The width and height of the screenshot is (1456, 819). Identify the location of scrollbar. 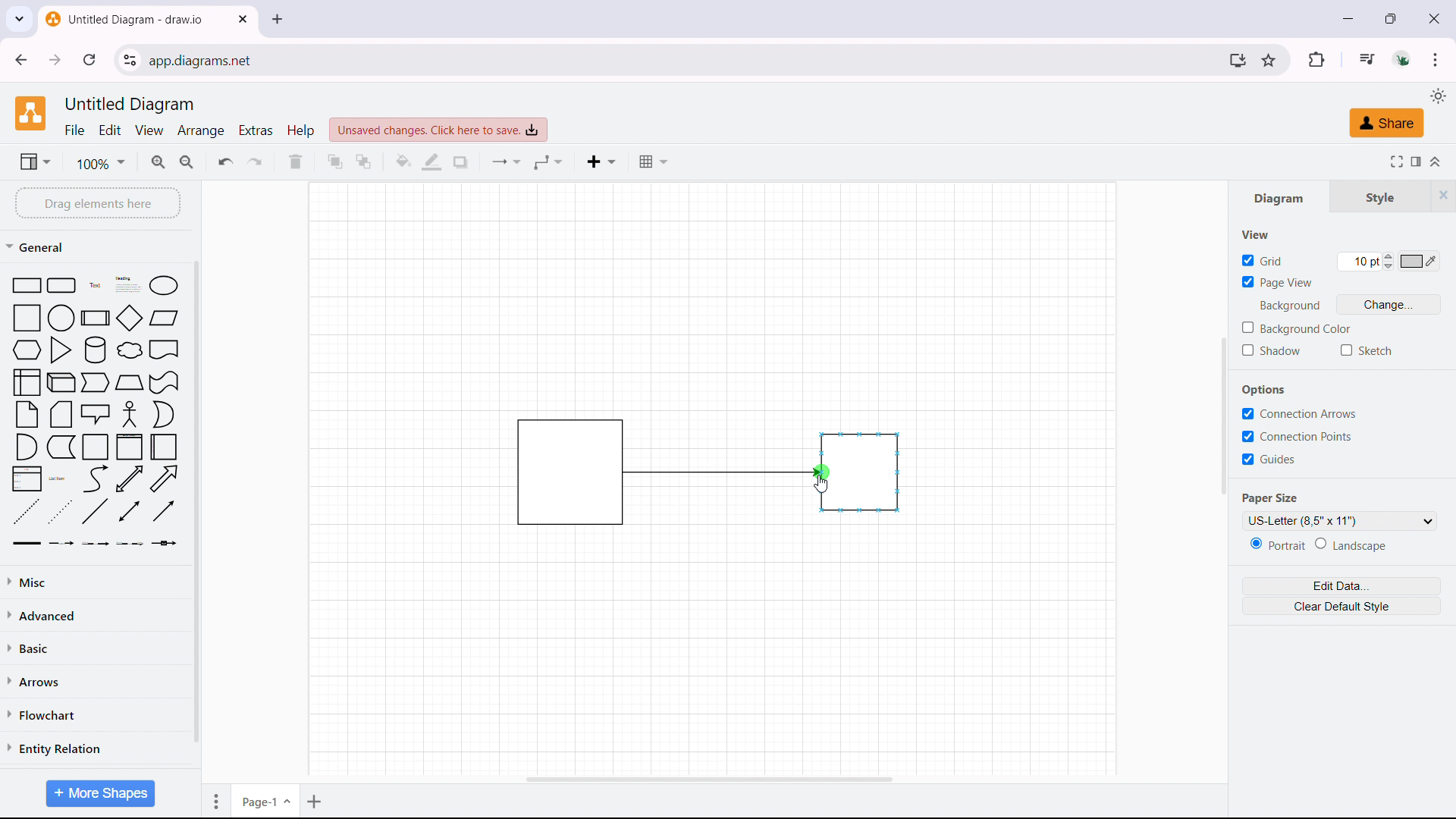
(196, 504).